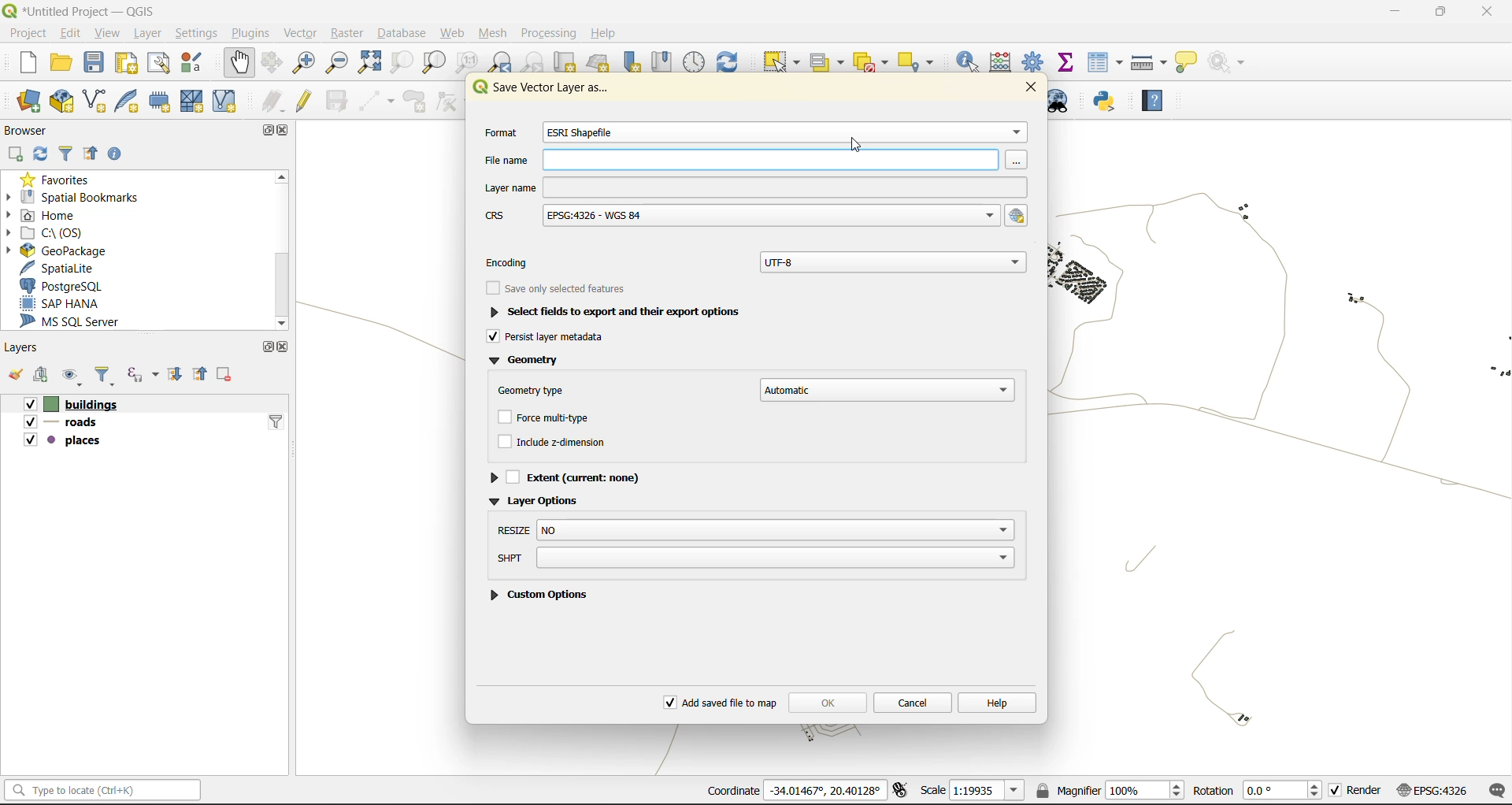  What do you see at coordinates (283, 249) in the screenshot?
I see `|scrollbar` at bounding box center [283, 249].